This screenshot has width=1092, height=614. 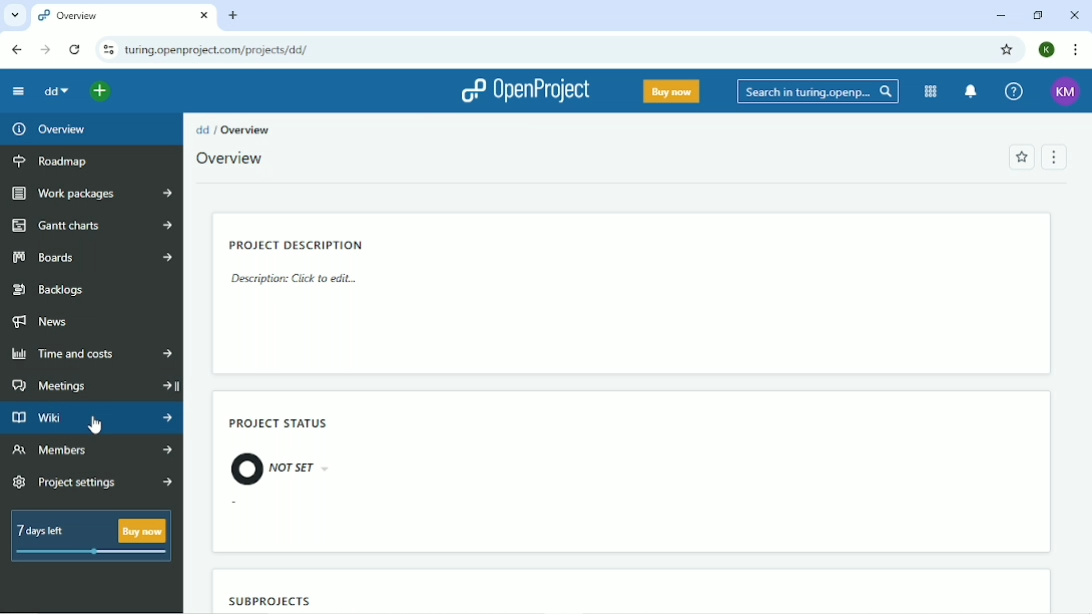 I want to click on Current tab, so click(x=124, y=15).